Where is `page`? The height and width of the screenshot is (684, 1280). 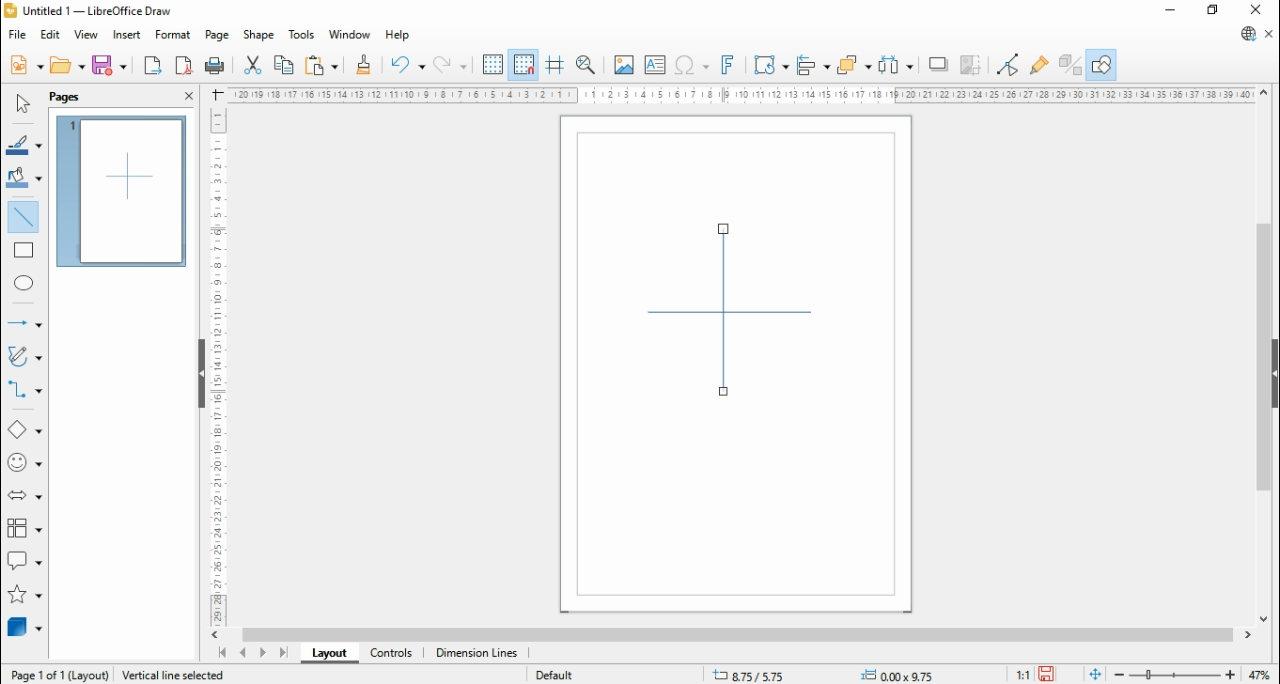
page is located at coordinates (215, 35).